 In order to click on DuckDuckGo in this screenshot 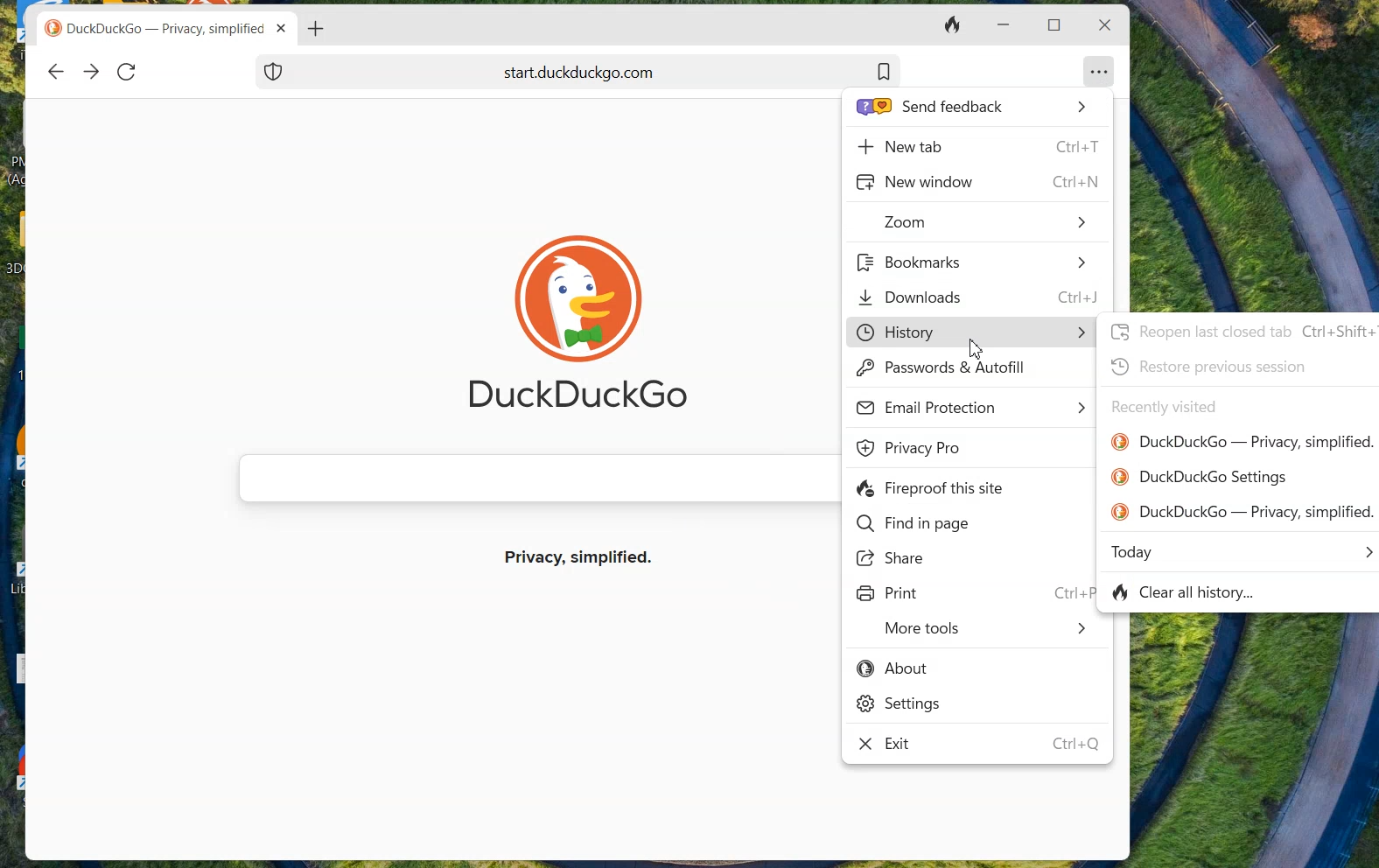, I will do `click(576, 399)`.